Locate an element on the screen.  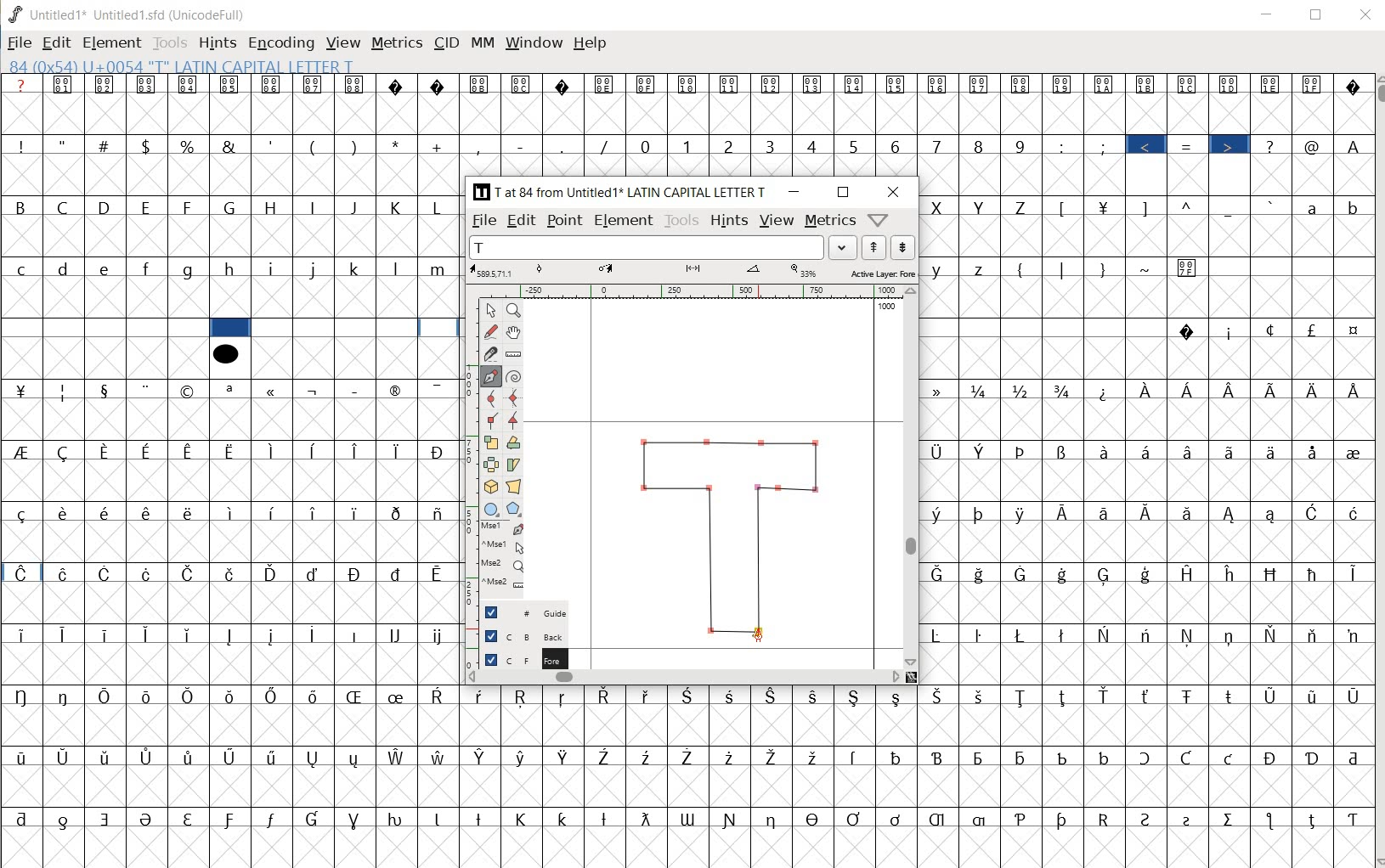
Symbol is located at coordinates (315, 758).